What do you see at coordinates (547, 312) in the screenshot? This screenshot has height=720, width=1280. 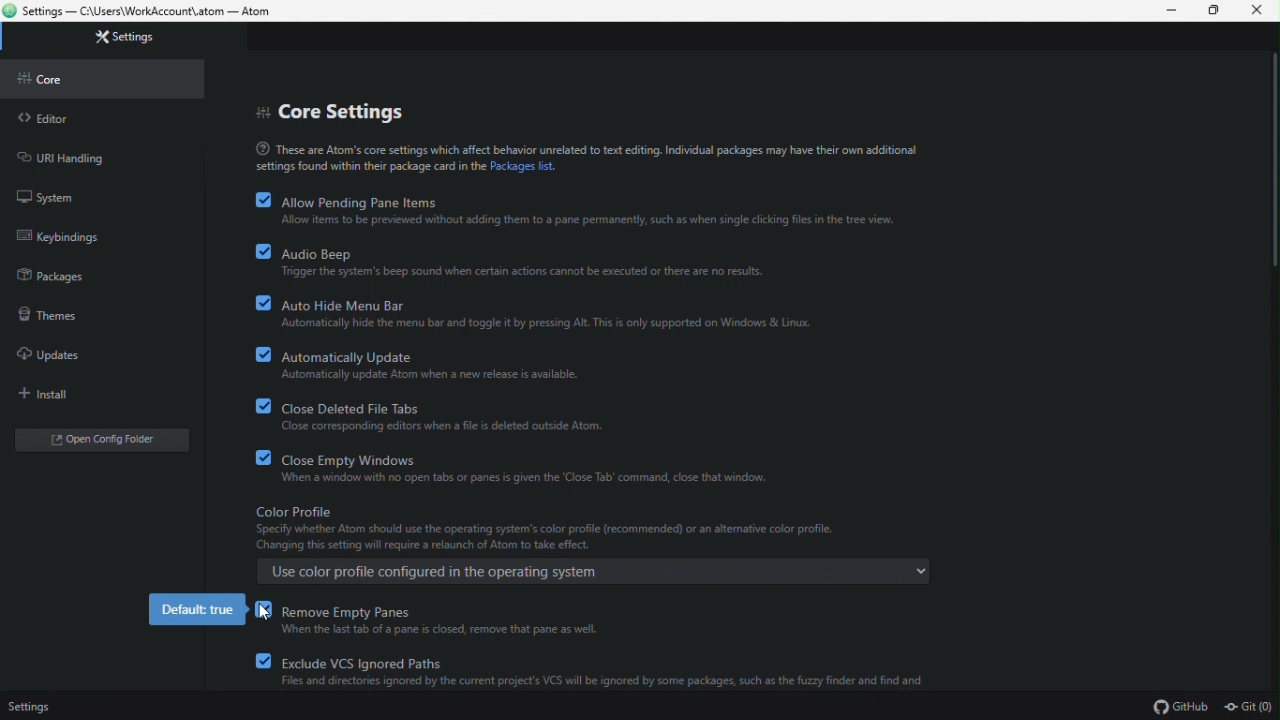 I see `auto hide menu bar` at bounding box center [547, 312].